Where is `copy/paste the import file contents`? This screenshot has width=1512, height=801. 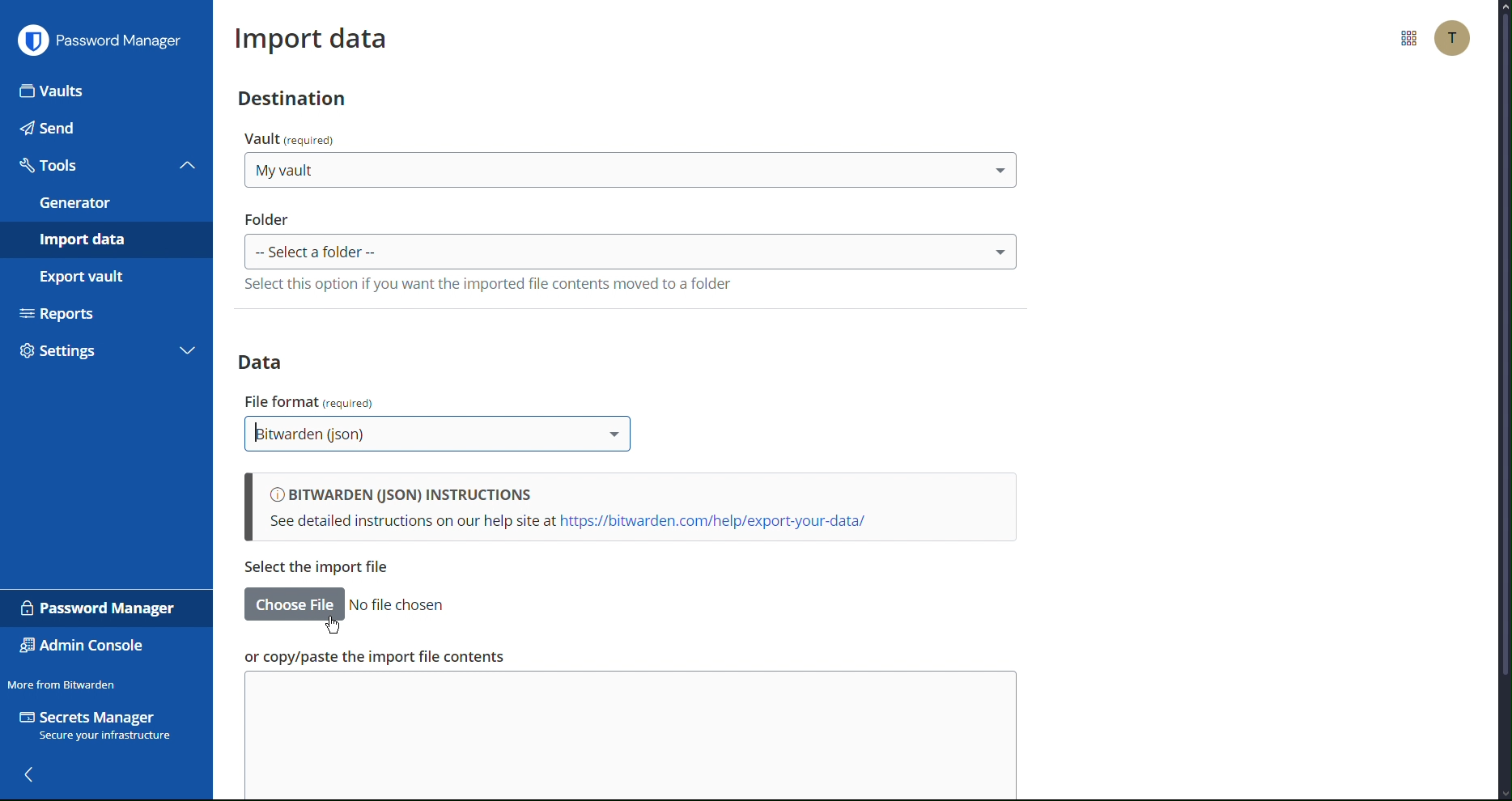
copy/paste the import file contents is located at coordinates (321, 569).